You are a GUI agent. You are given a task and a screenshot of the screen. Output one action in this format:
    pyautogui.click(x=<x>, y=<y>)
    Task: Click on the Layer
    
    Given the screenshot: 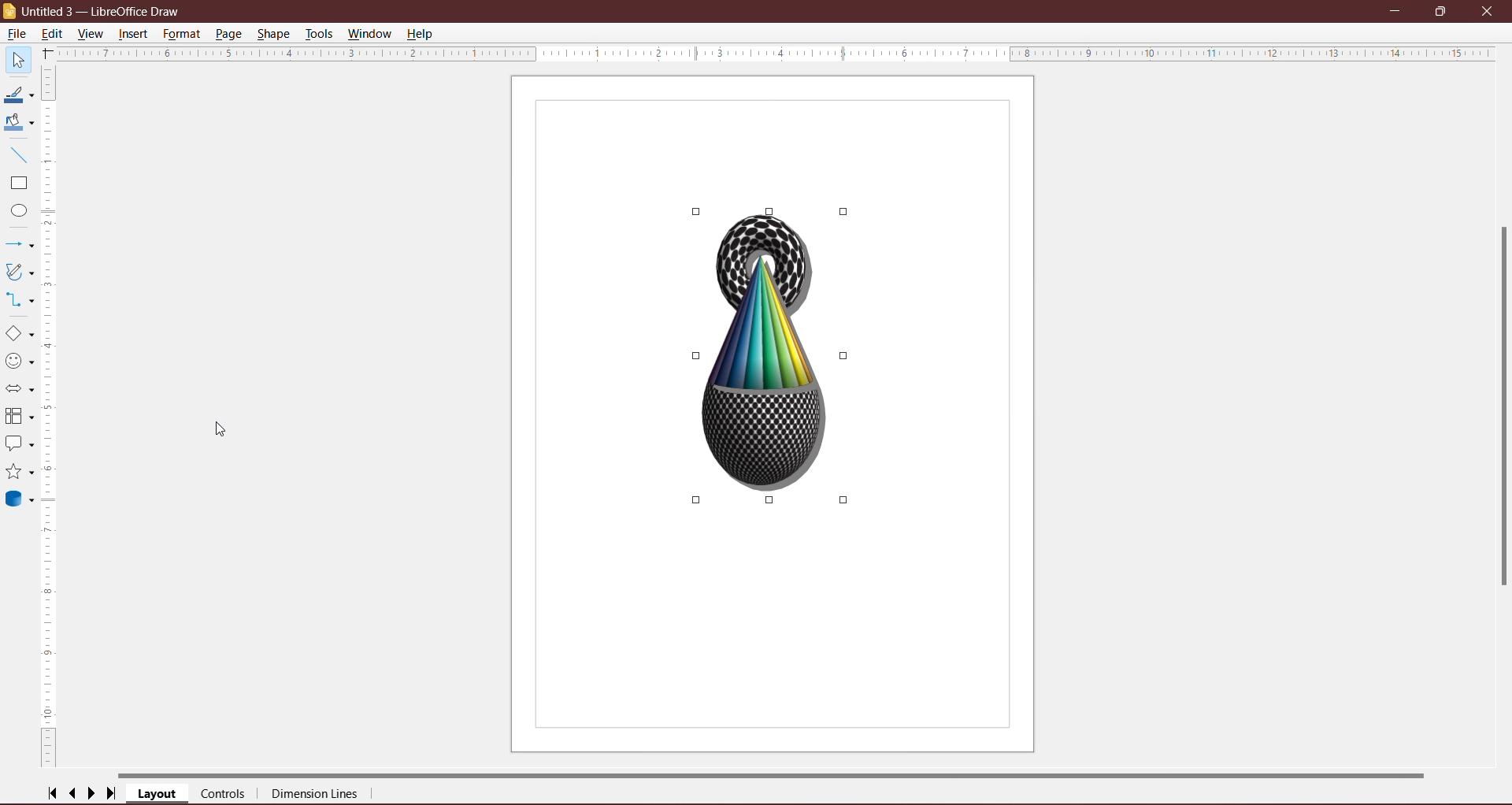 What is the action you would take?
    pyautogui.click(x=157, y=794)
    